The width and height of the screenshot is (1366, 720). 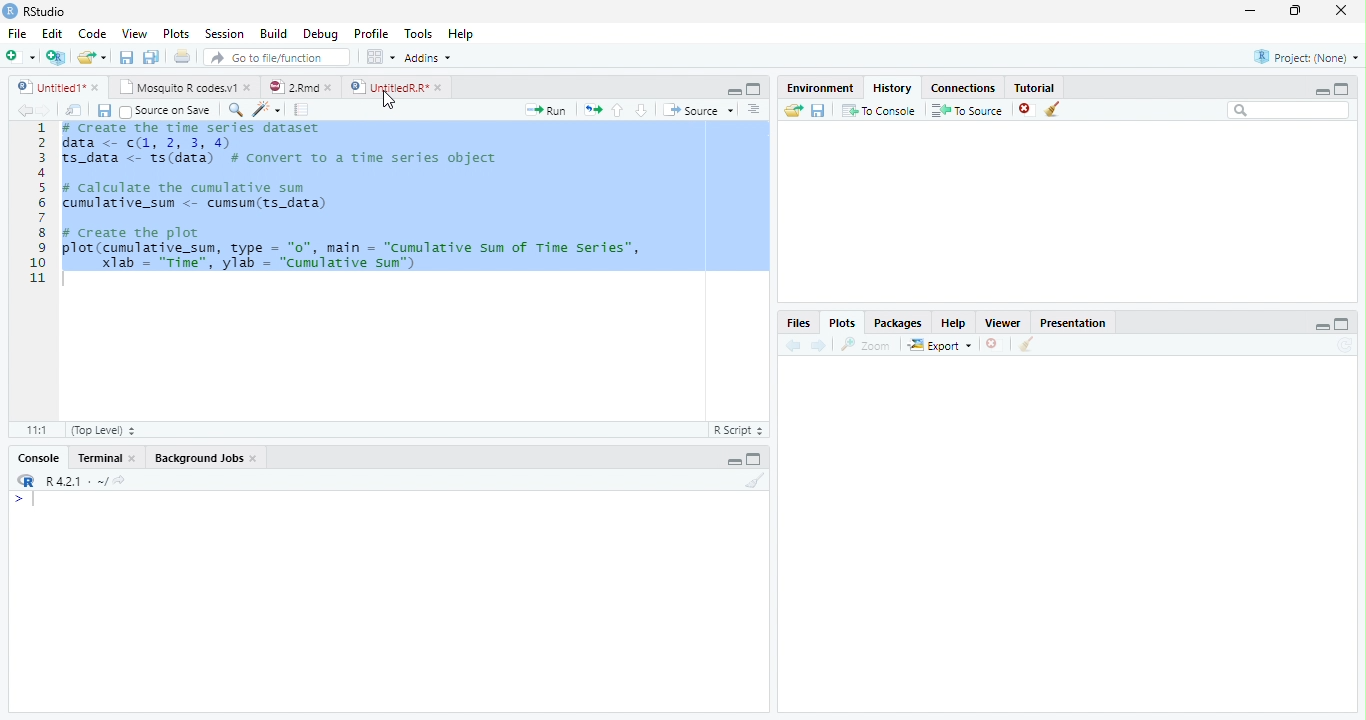 What do you see at coordinates (381, 61) in the screenshot?
I see `workspace panes` at bounding box center [381, 61].